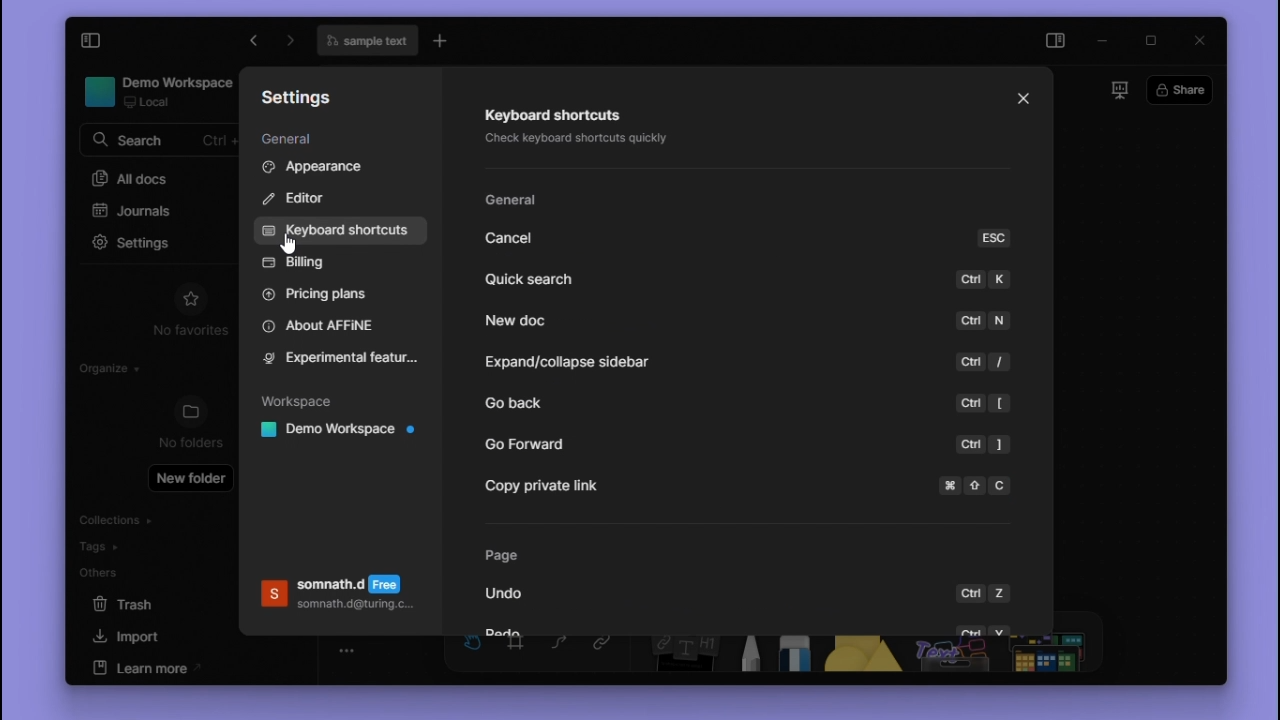  Describe the element at coordinates (304, 263) in the screenshot. I see `Billing` at that location.